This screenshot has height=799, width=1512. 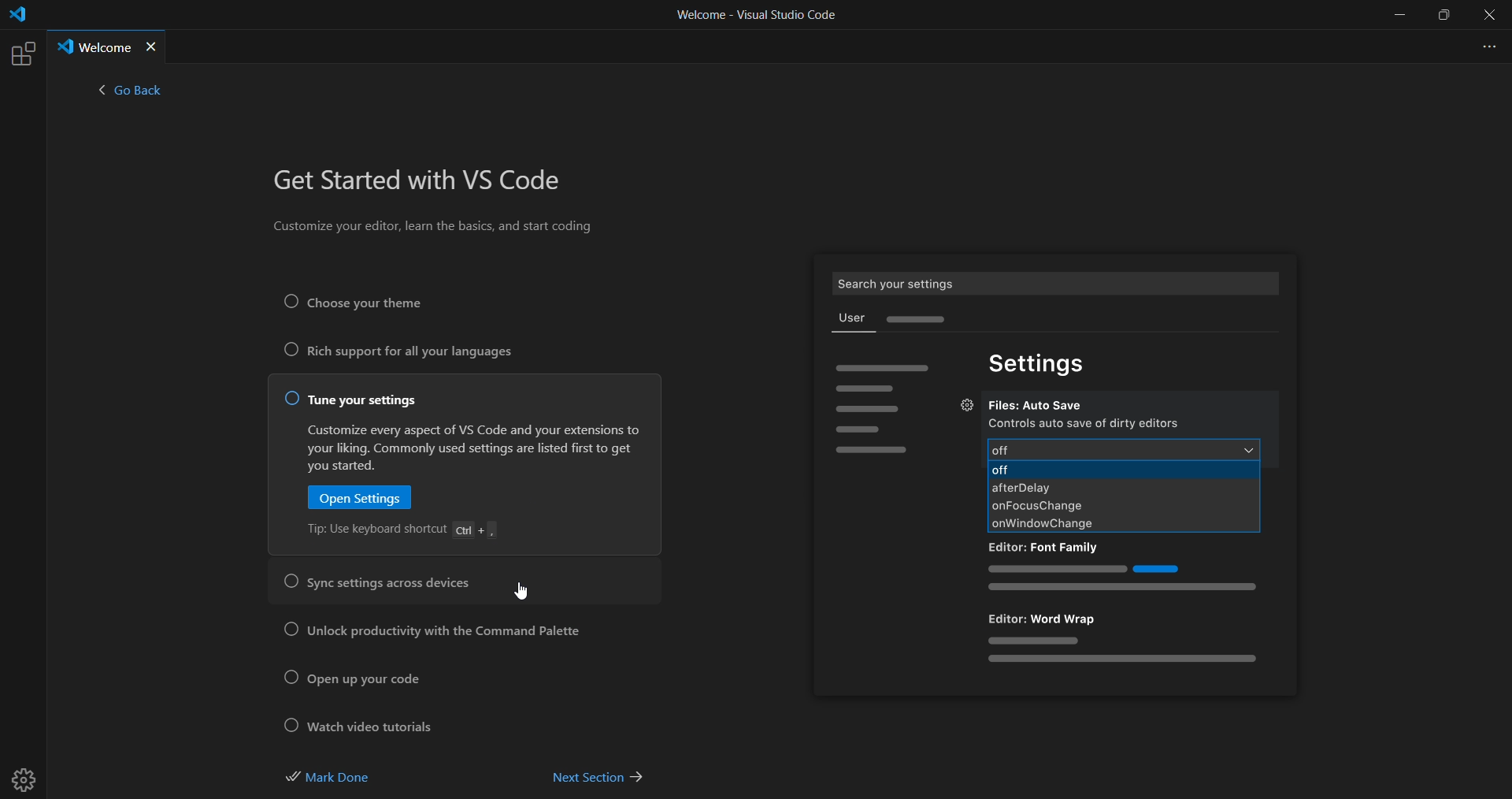 What do you see at coordinates (1398, 15) in the screenshot?
I see `minimize` at bounding box center [1398, 15].